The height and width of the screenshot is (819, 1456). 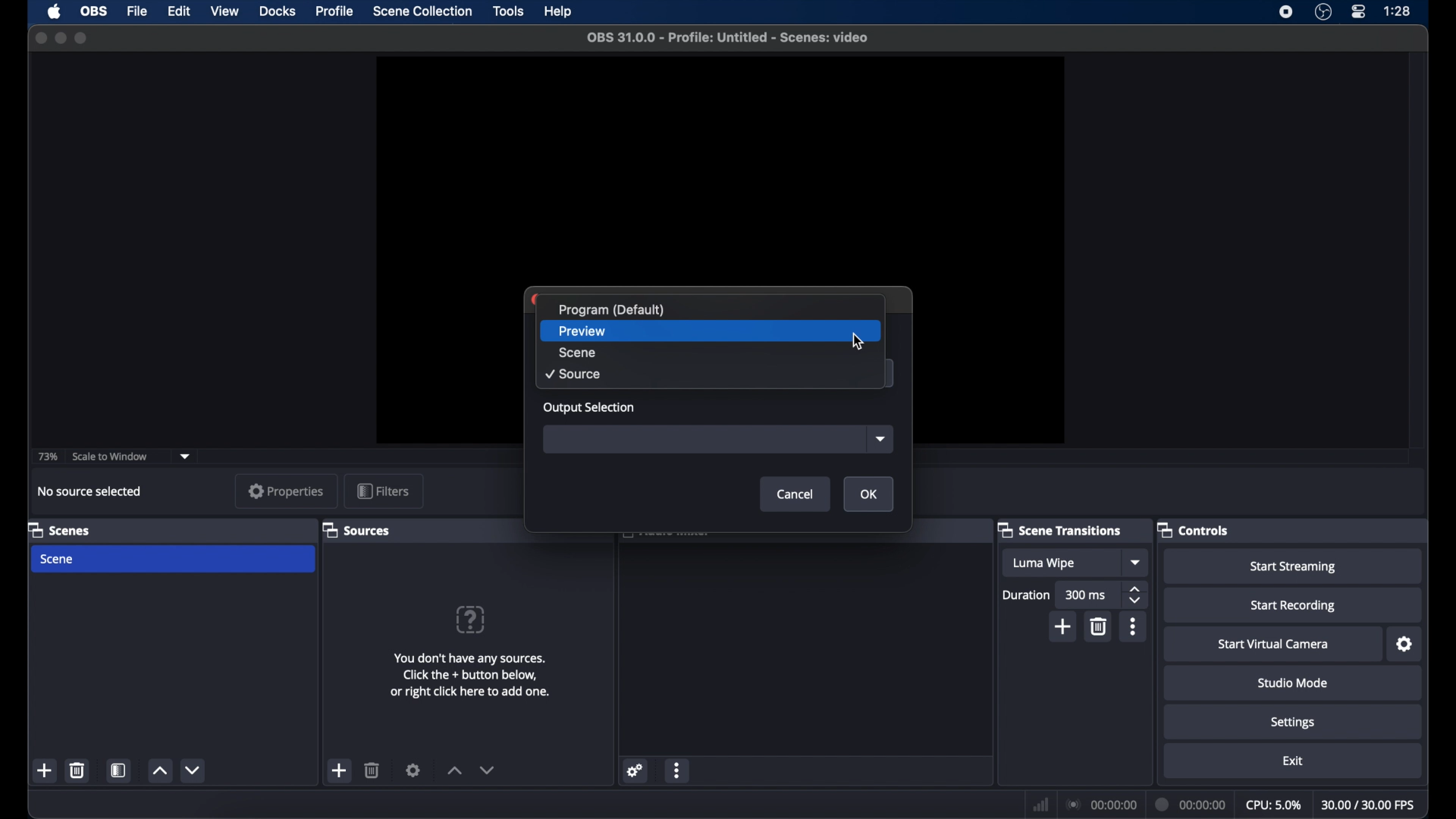 What do you see at coordinates (679, 770) in the screenshot?
I see `more options` at bounding box center [679, 770].